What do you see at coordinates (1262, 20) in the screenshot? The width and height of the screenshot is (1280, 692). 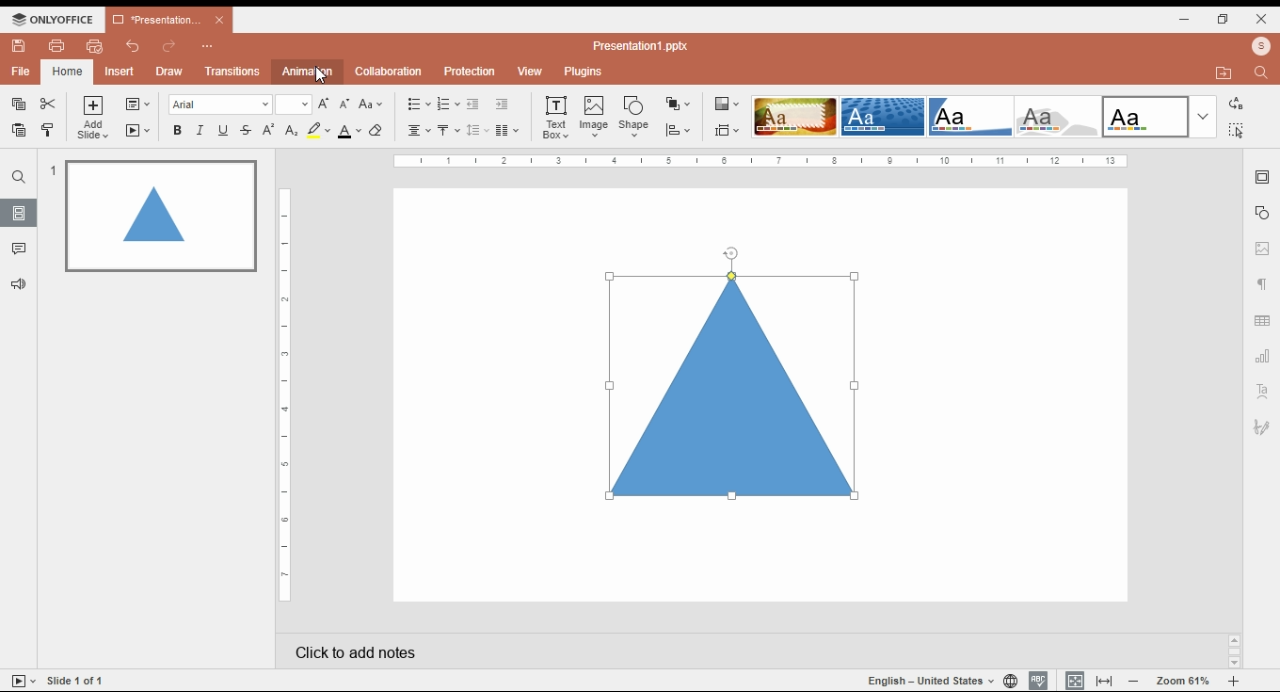 I see `close window` at bounding box center [1262, 20].